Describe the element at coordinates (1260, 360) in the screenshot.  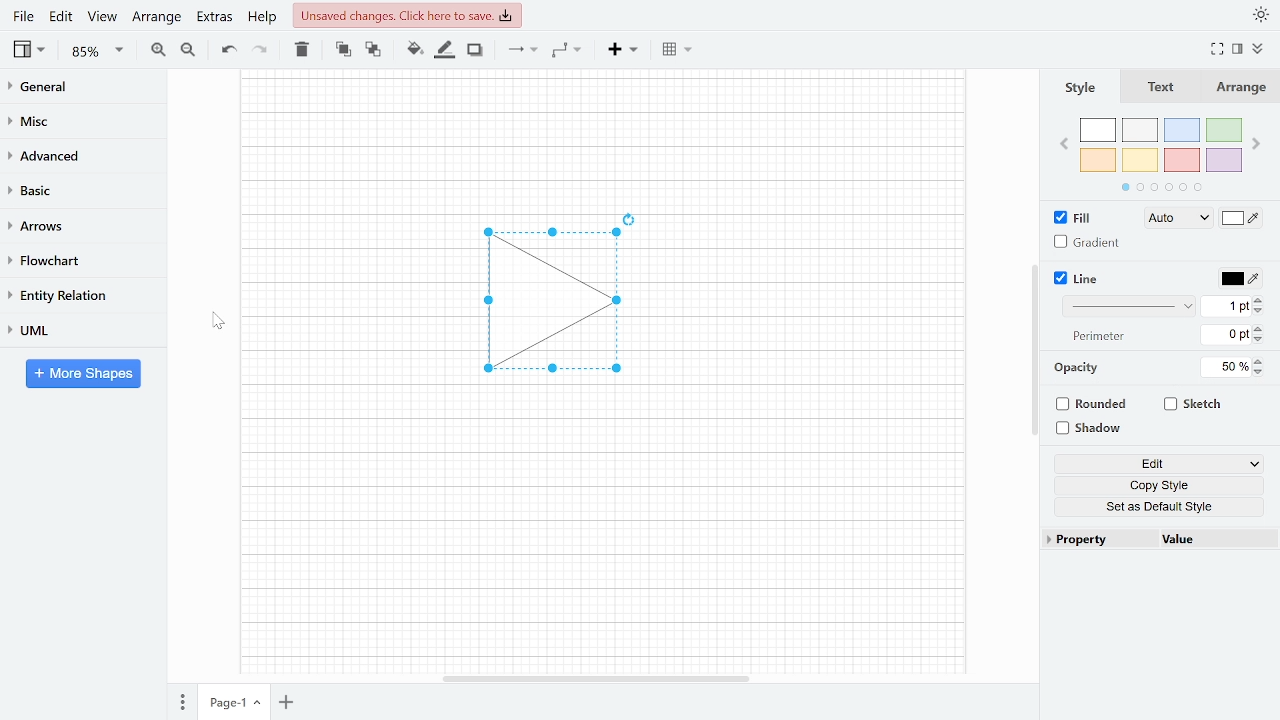
I see `Increase Opacity` at that location.